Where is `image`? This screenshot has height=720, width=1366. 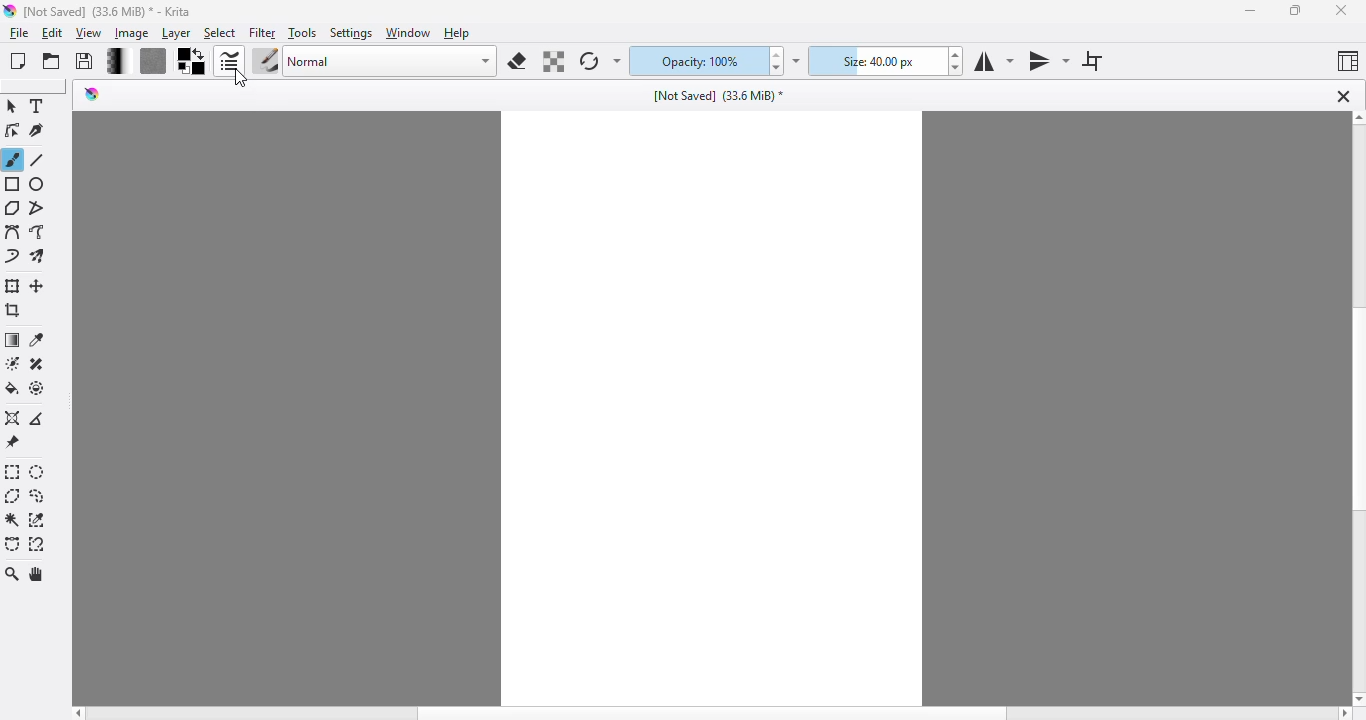 image is located at coordinates (132, 33).